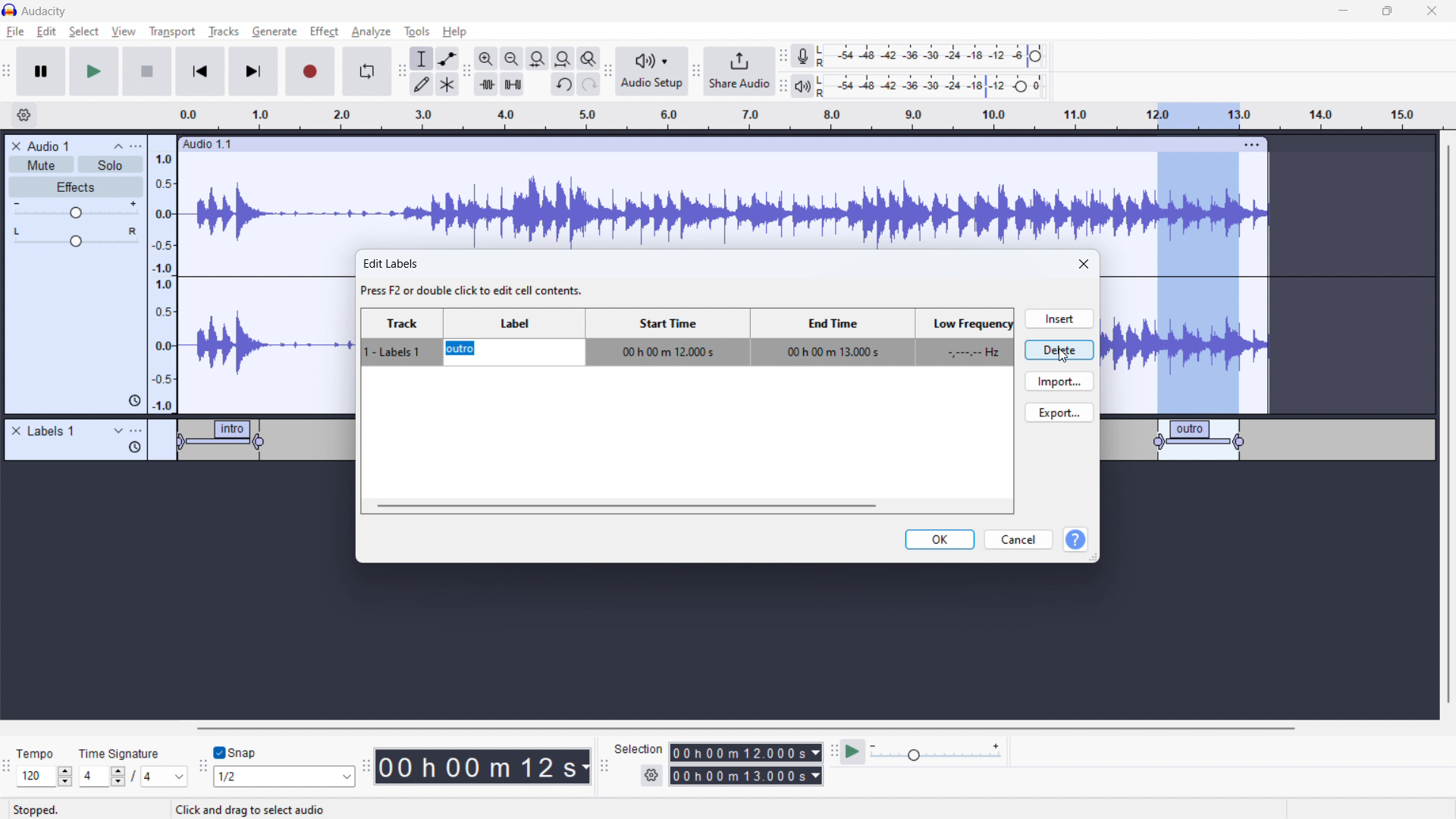 The width and height of the screenshot is (1456, 819). What do you see at coordinates (486, 58) in the screenshot?
I see `zoom in` at bounding box center [486, 58].